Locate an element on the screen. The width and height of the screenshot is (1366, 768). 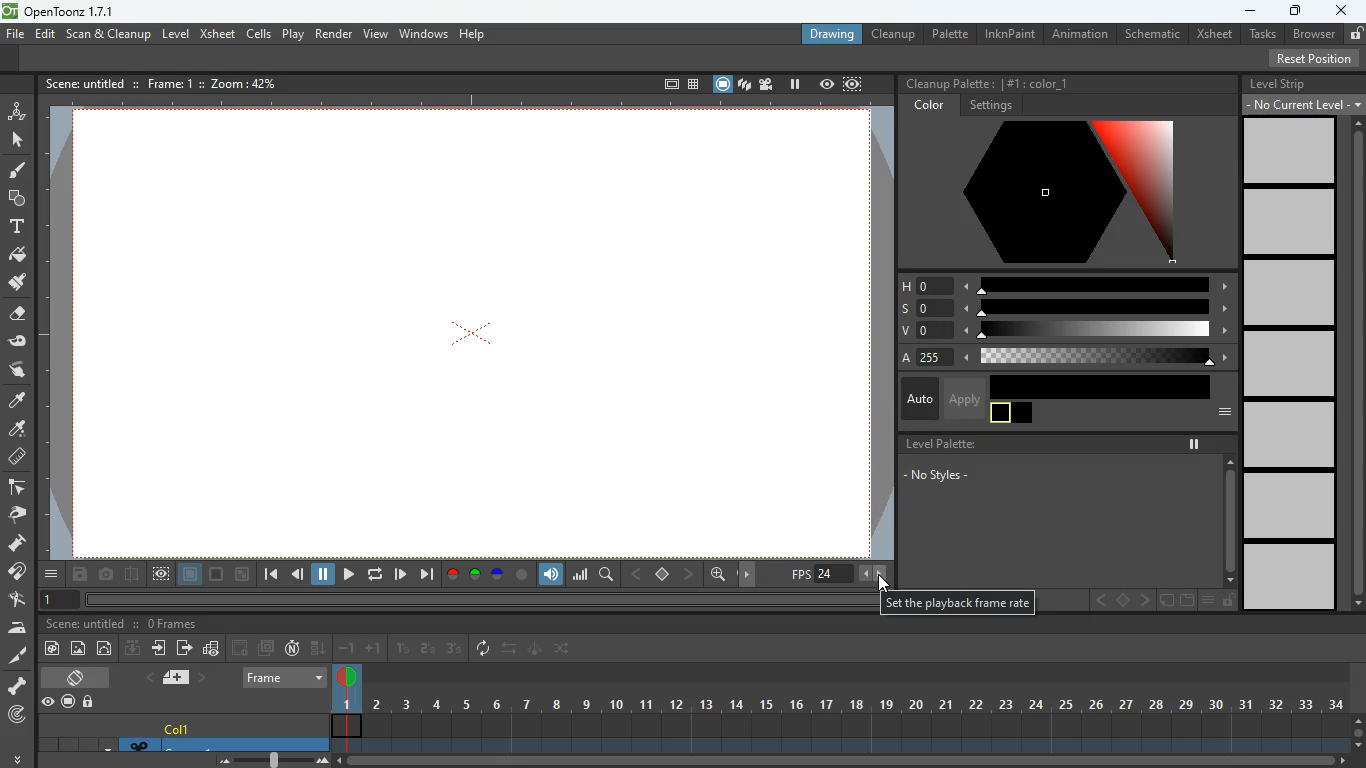
1 is located at coordinates (403, 650).